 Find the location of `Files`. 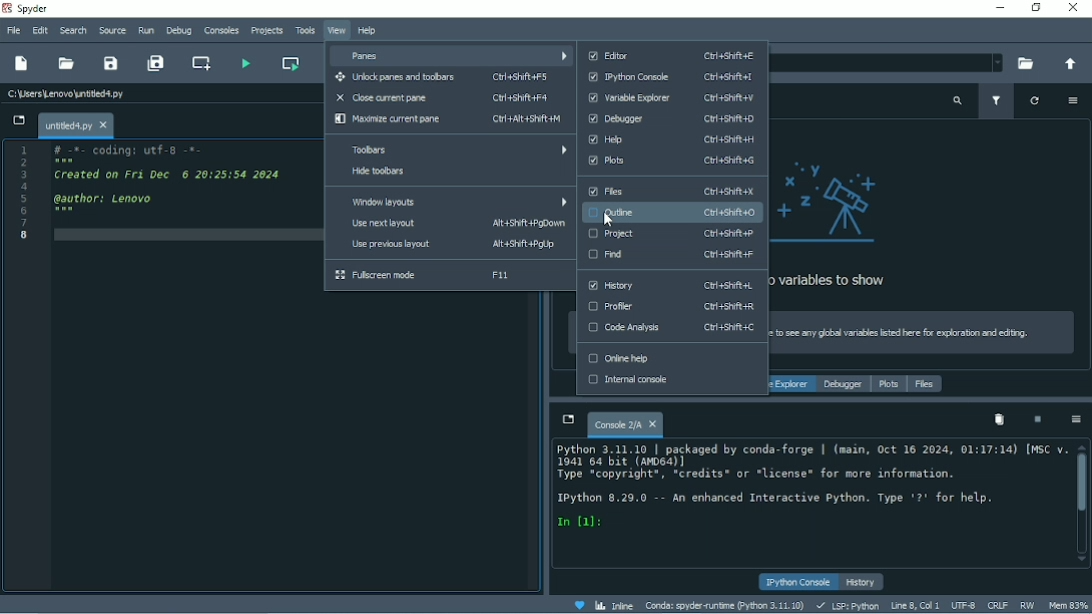

Files is located at coordinates (670, 191).